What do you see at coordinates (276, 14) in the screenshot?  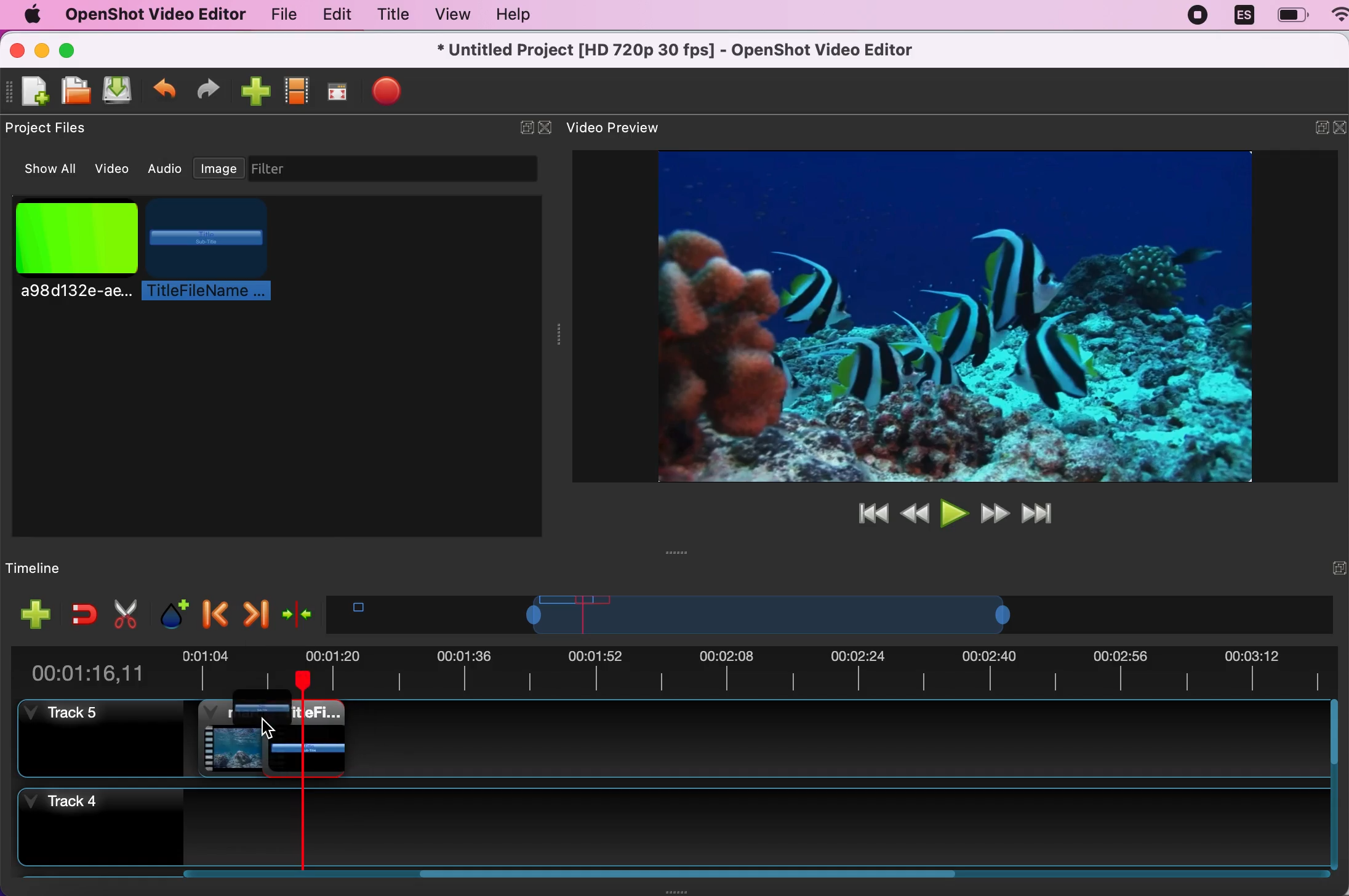 I see `file` at bounding box center [276, 14].